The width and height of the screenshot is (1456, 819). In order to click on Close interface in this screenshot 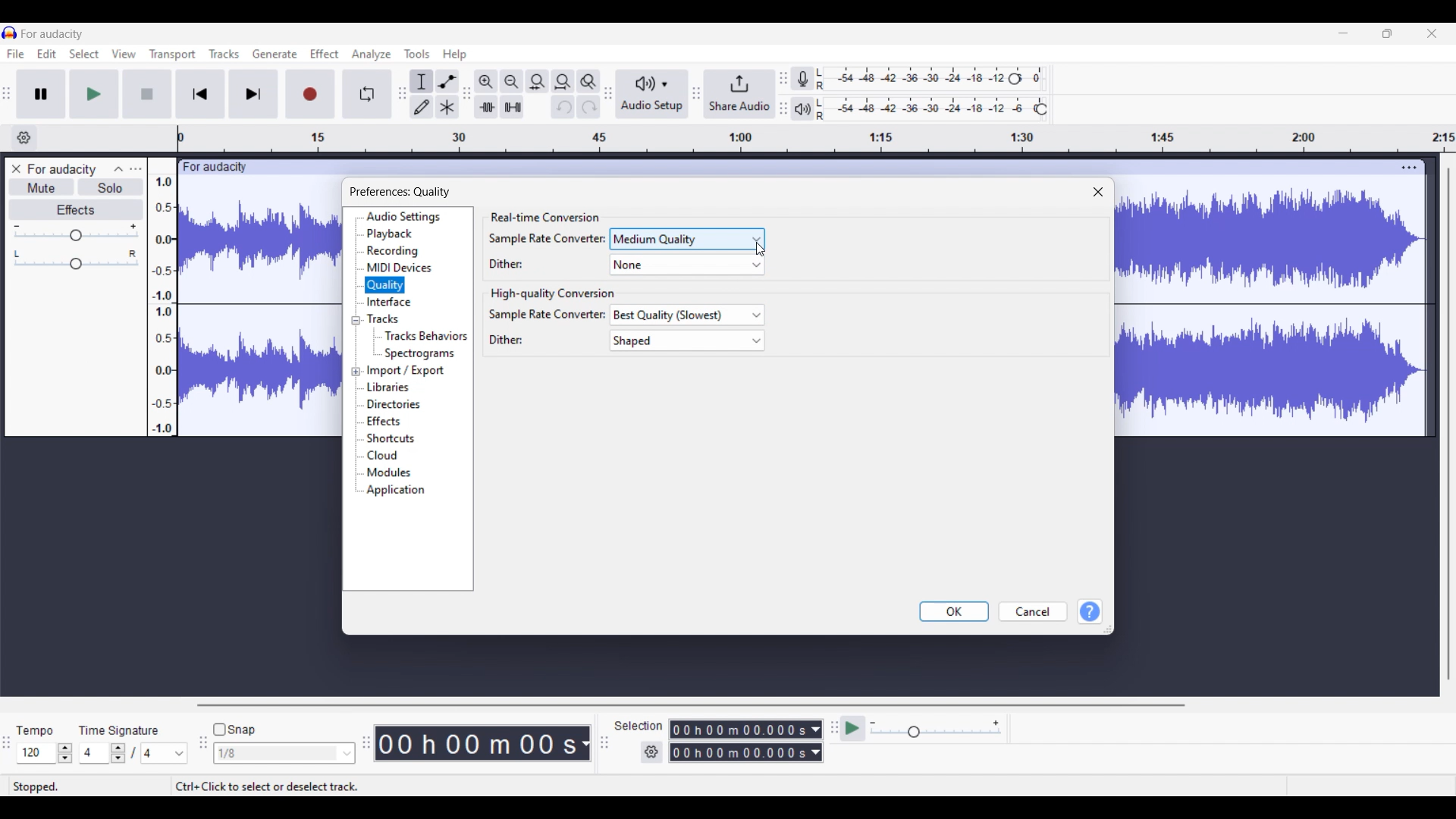, I will do `click(1432, 33)`.